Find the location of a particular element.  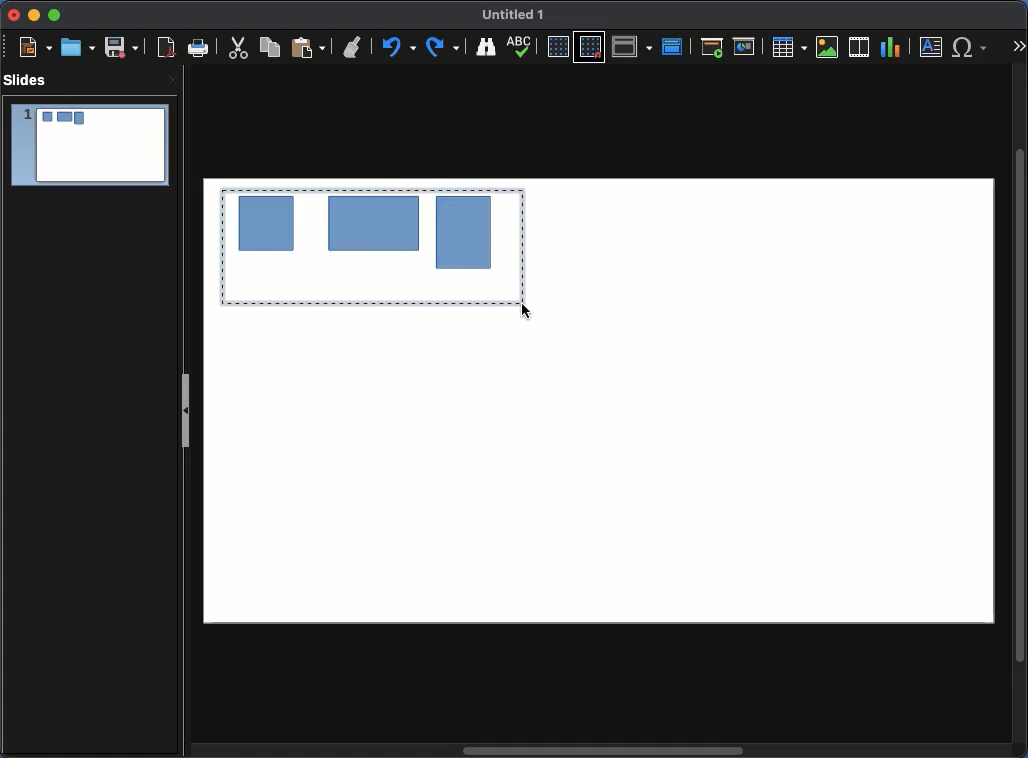

More is located at coordinates (1018, 41).